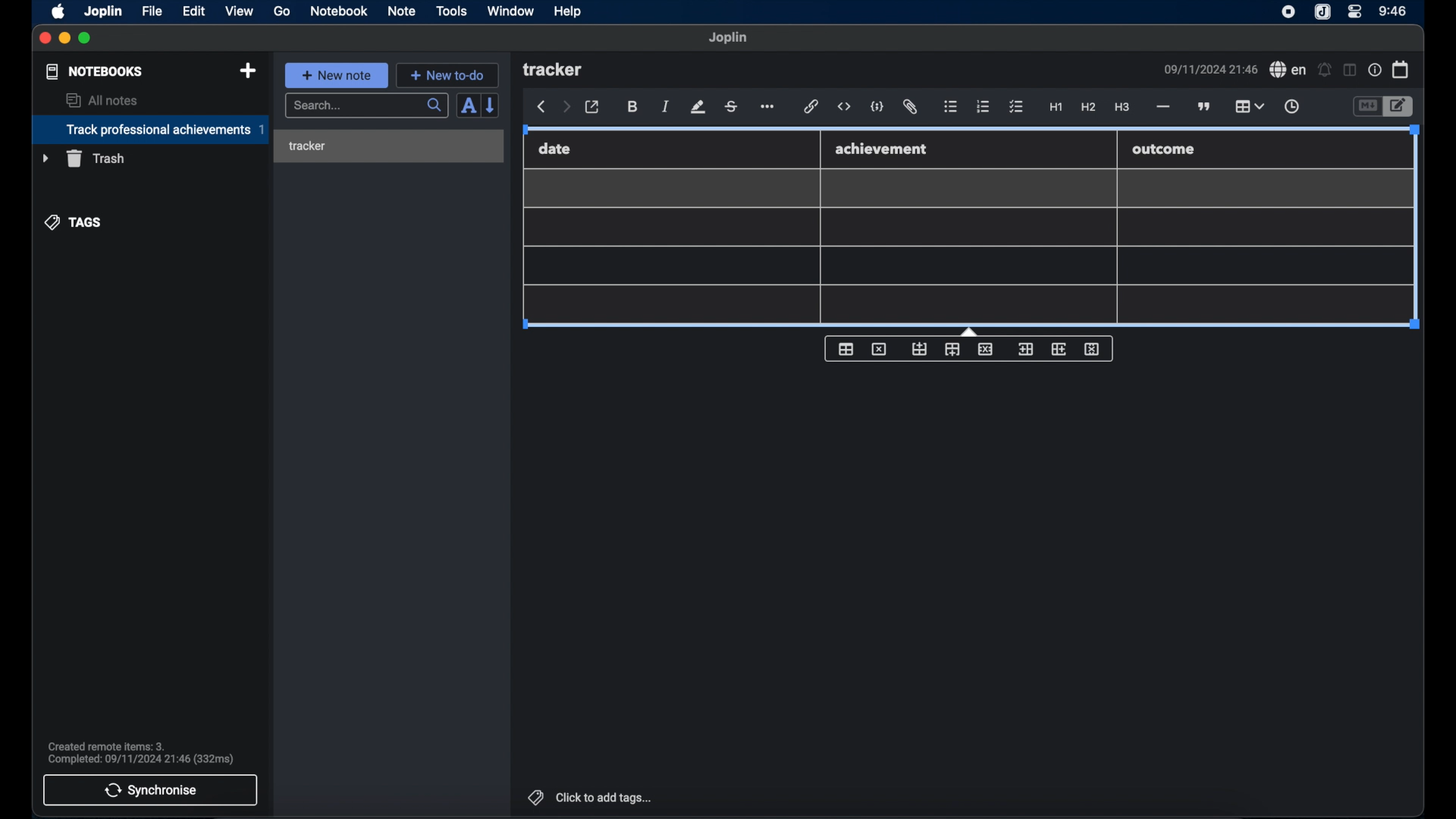  I want to click on heading 1, so click(1056, 108).